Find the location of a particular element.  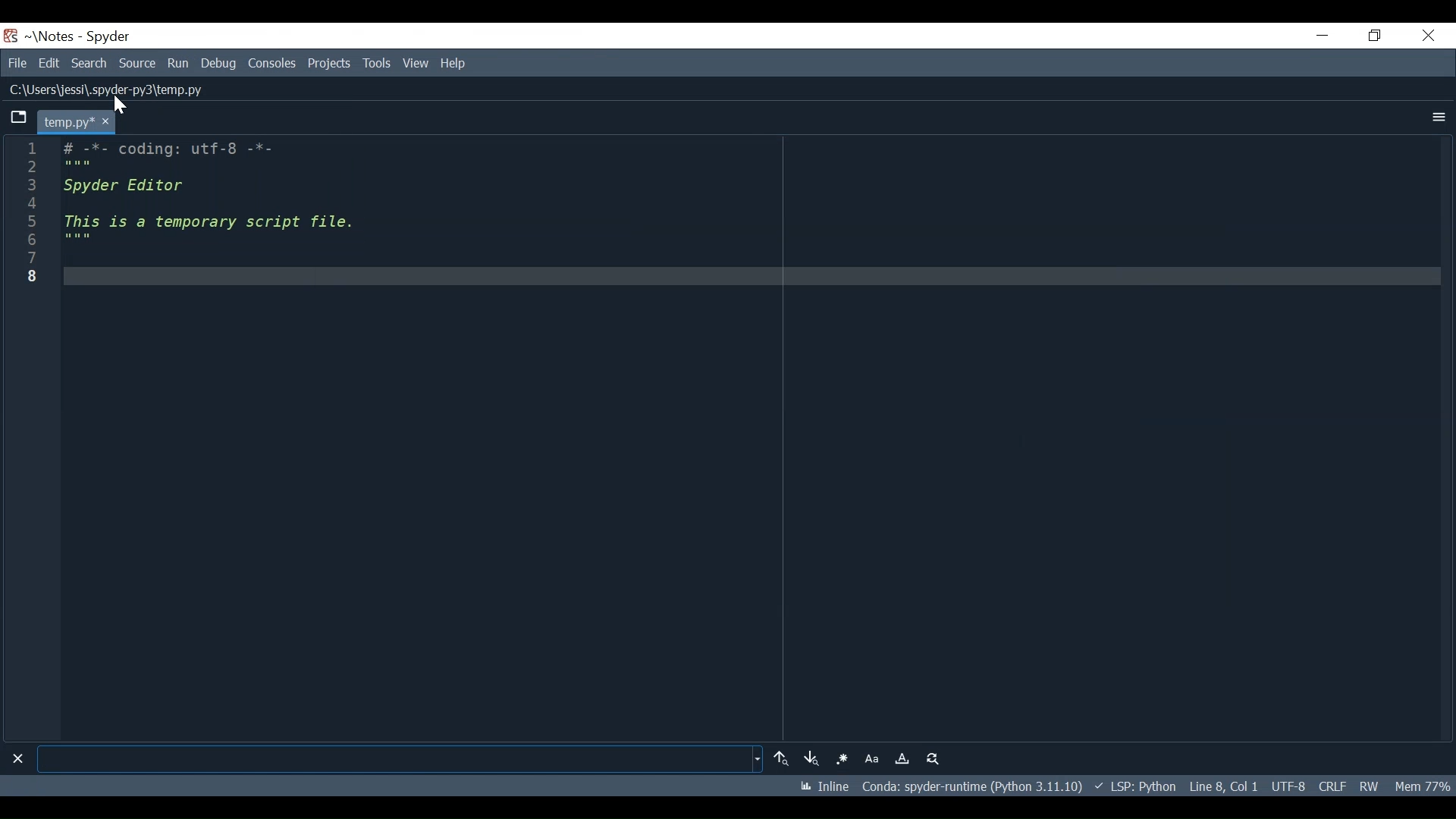

Consoles is located at coordinates (271, 64).